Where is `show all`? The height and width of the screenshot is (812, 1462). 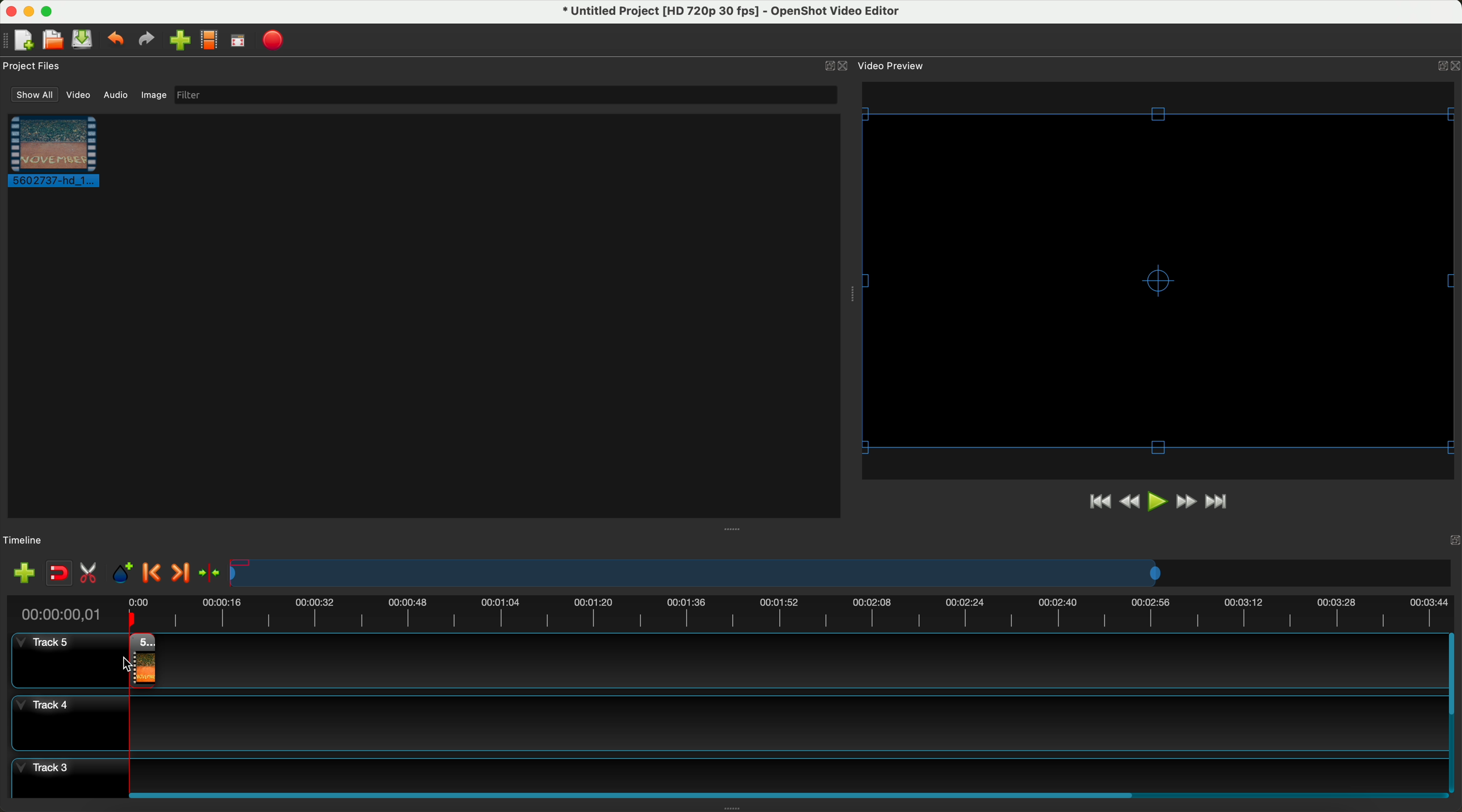 show all is located at coordinates (34, 94).